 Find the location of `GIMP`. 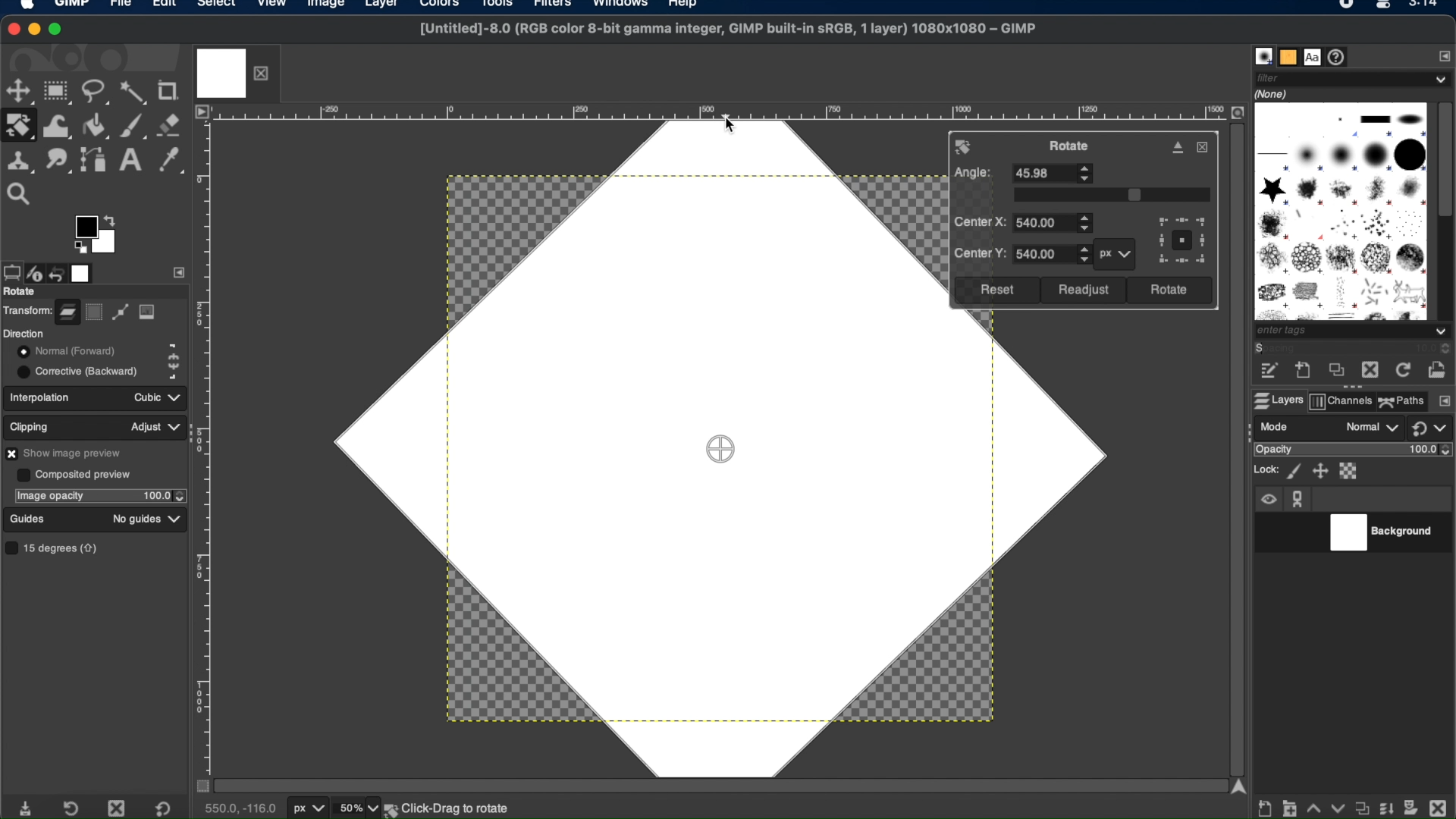

GIMP is located at coordinates (74, 6).